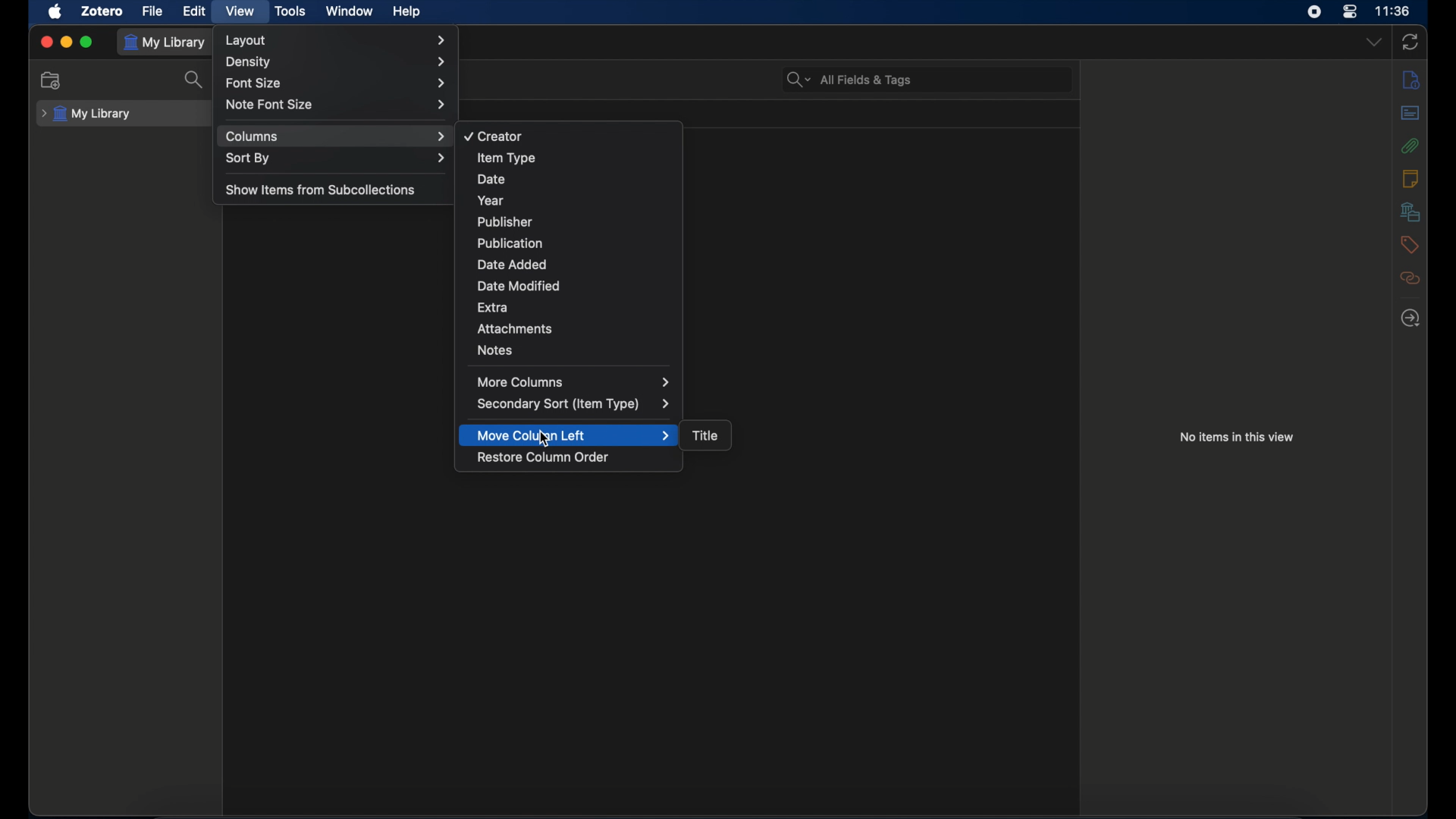 The height and width of the screenshot is (819, 1456). I want to click on libraries, so click(1411, 212).